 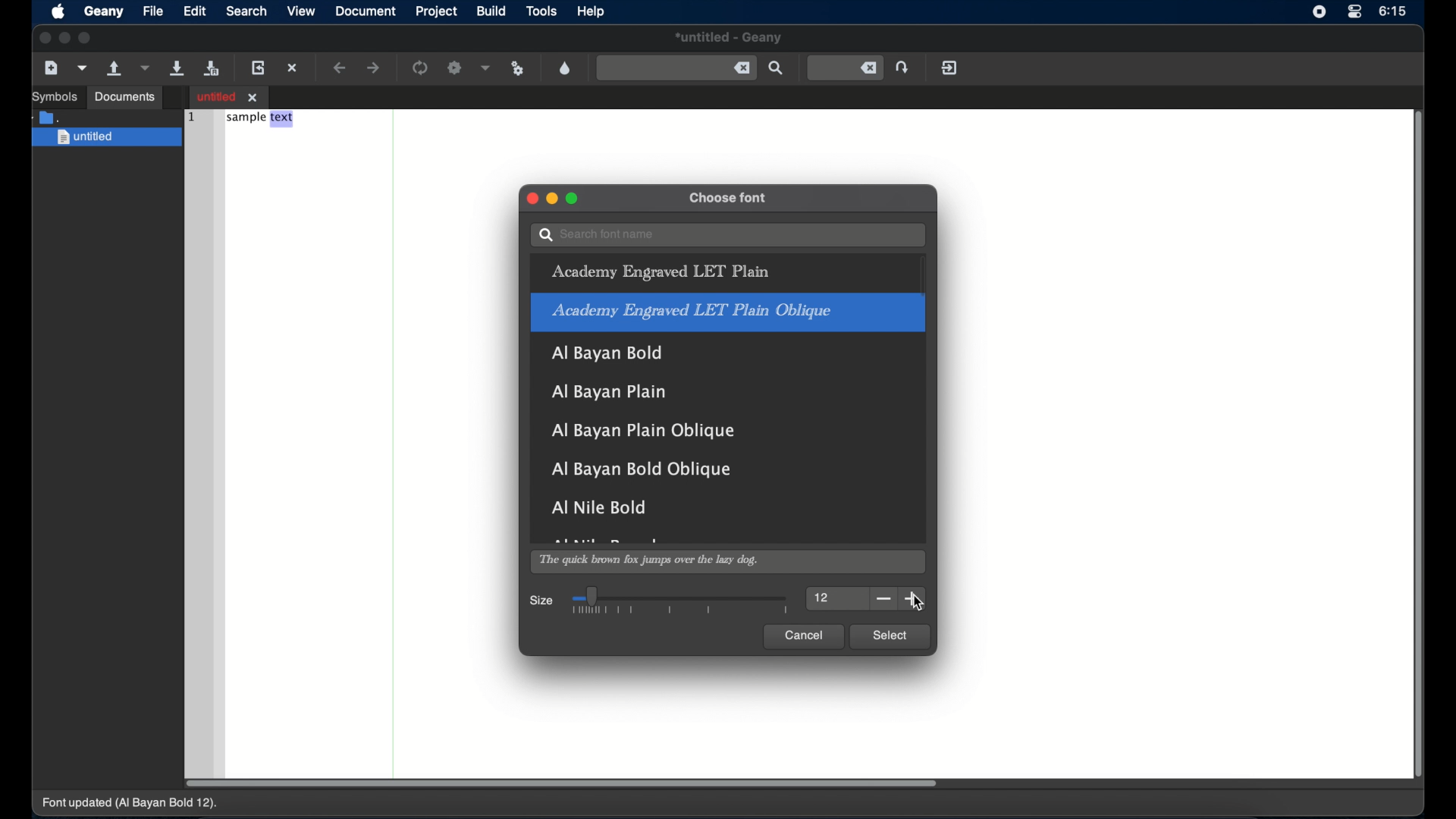 I want to click on project, so click(x=435, y=11).